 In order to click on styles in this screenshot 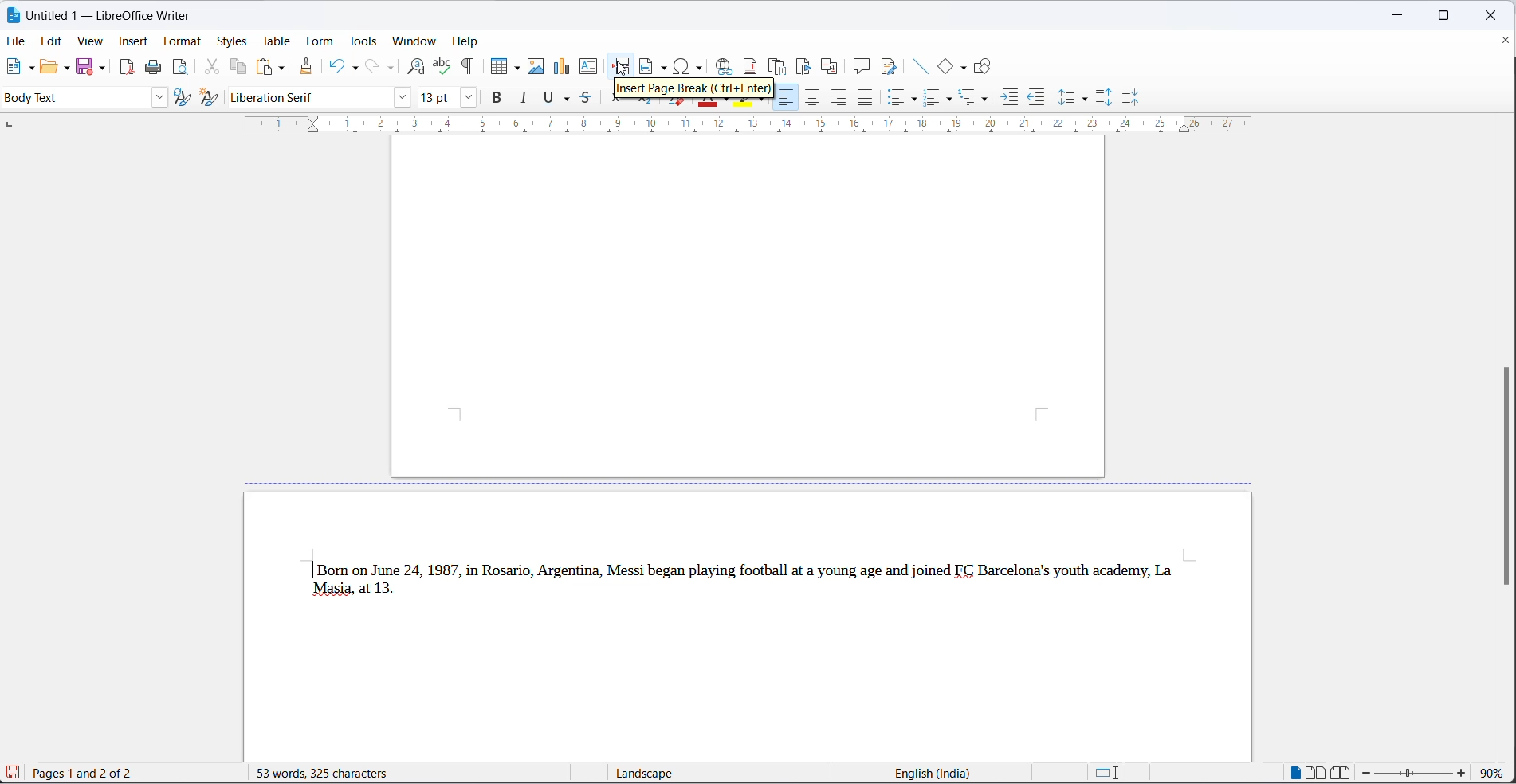, I will do `click(235, 41)`.